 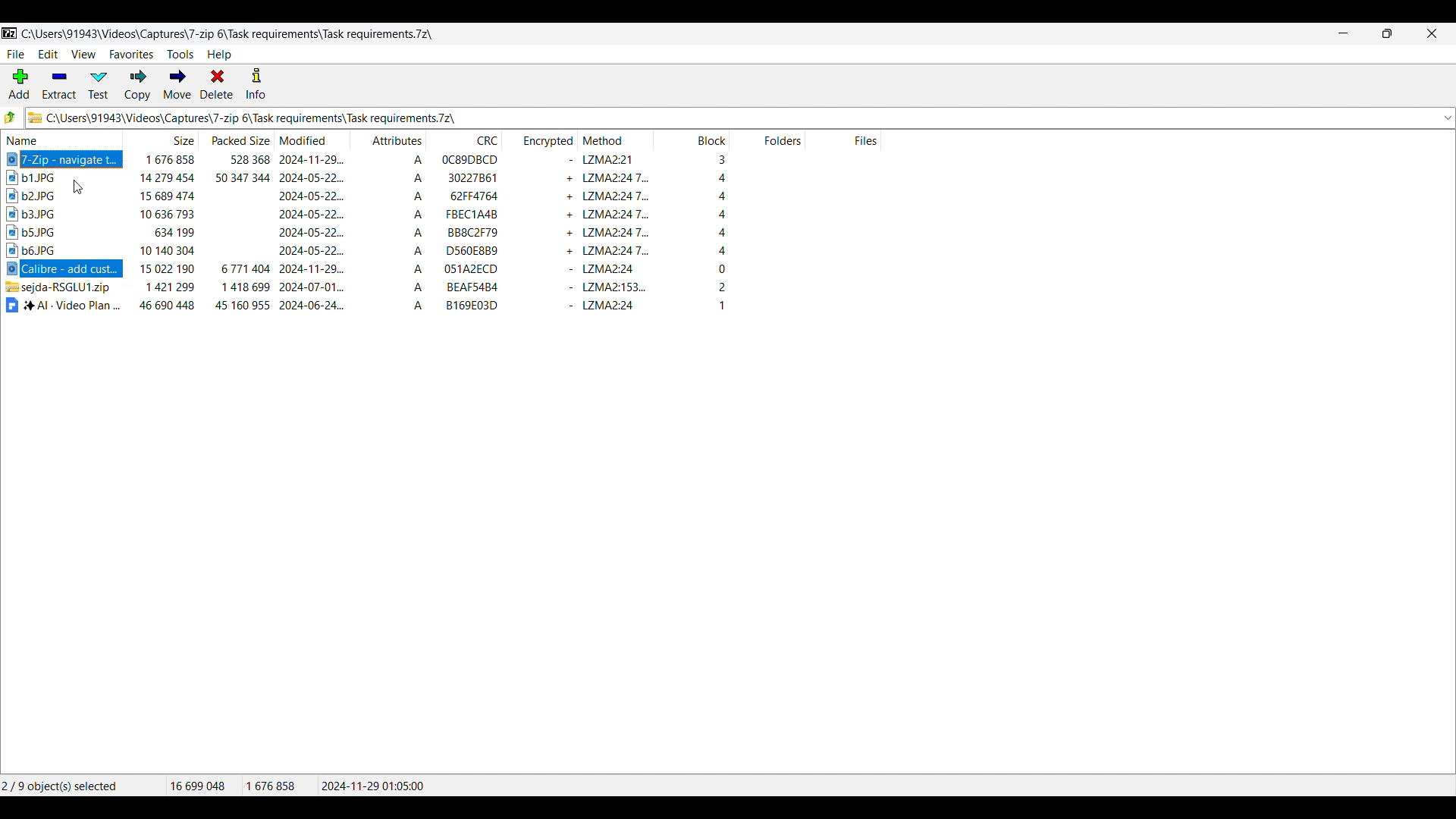 I want to click on Selected objects out of the total number of objects in the current folder changed, so click(x=83, y=786).